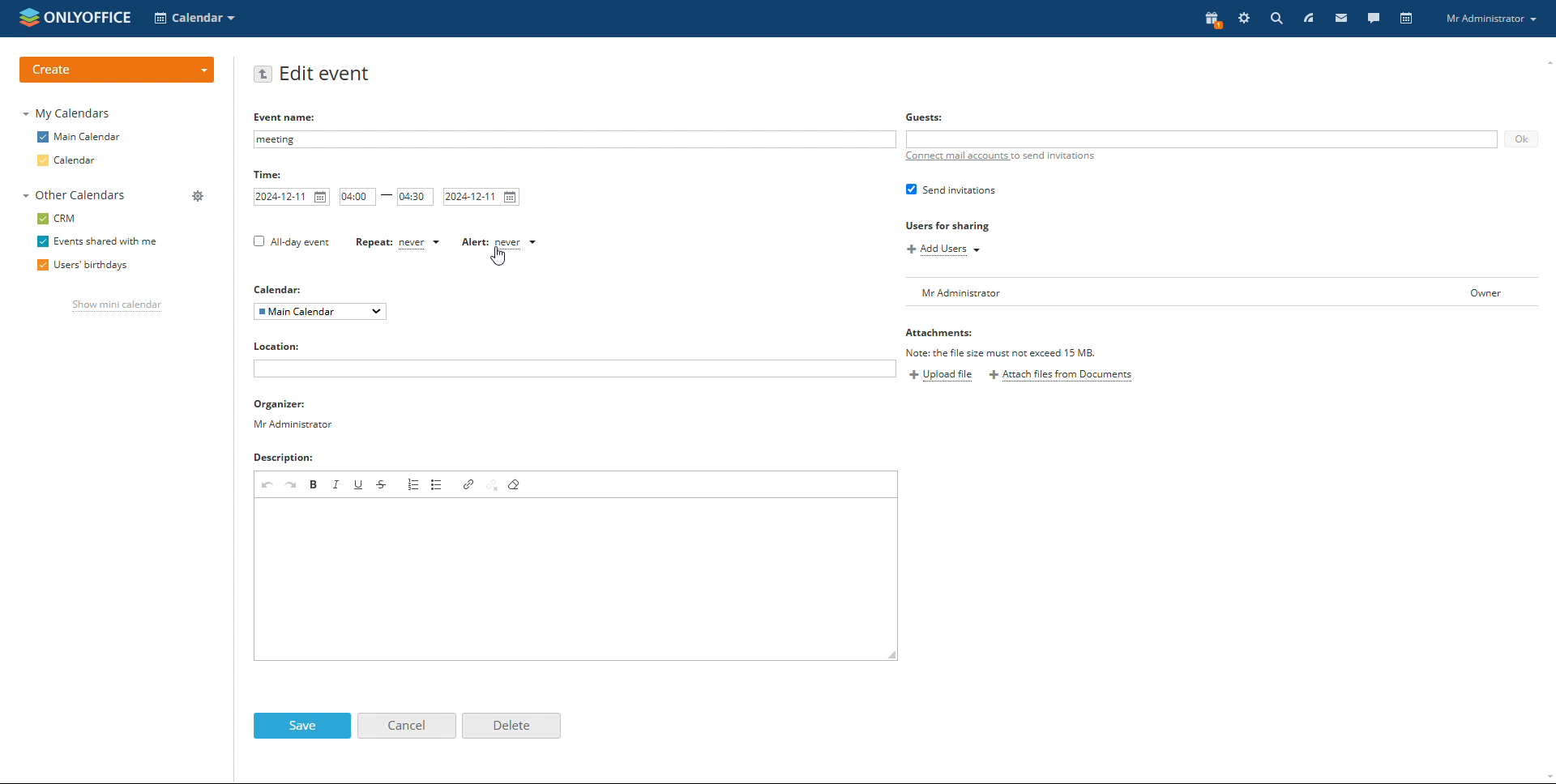 Image resolution: width=1556 pixels, height=784 pixels. Describe the element at coordinates (396, 242) in the screenshot. I see `event repetition` at that location.